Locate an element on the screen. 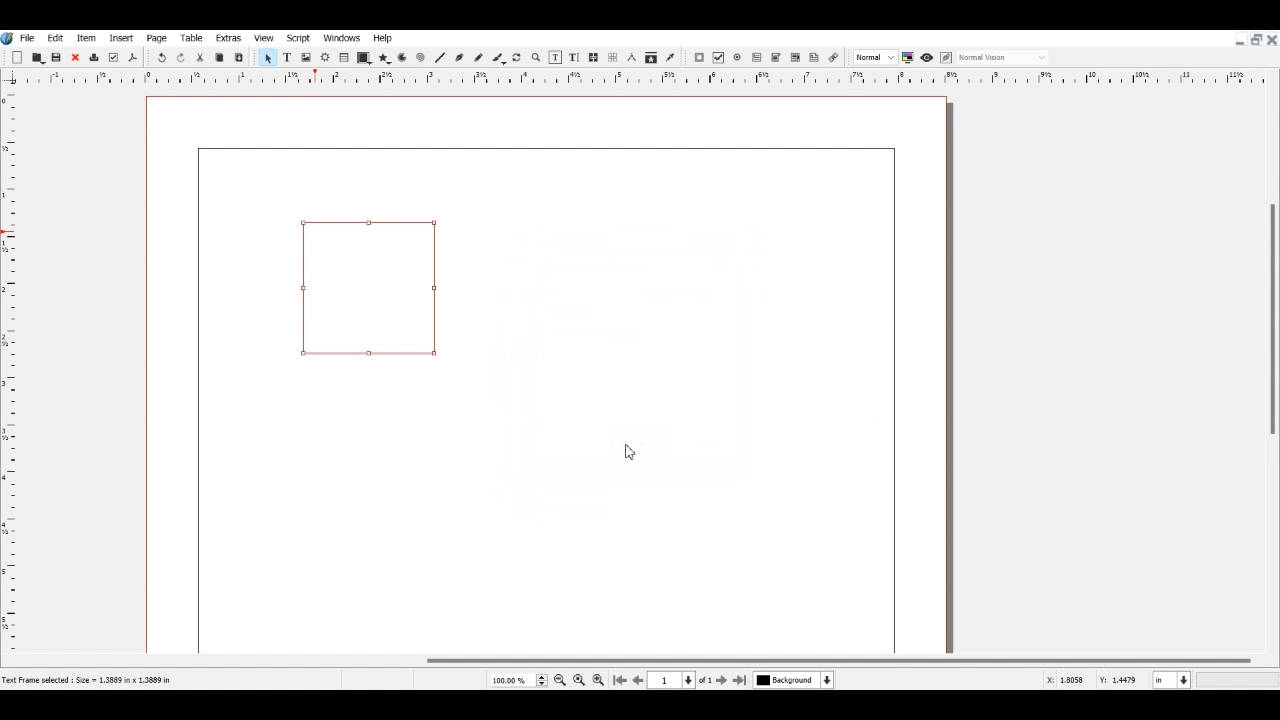  PDF Radio Button  is located at coordinates (739, 58).